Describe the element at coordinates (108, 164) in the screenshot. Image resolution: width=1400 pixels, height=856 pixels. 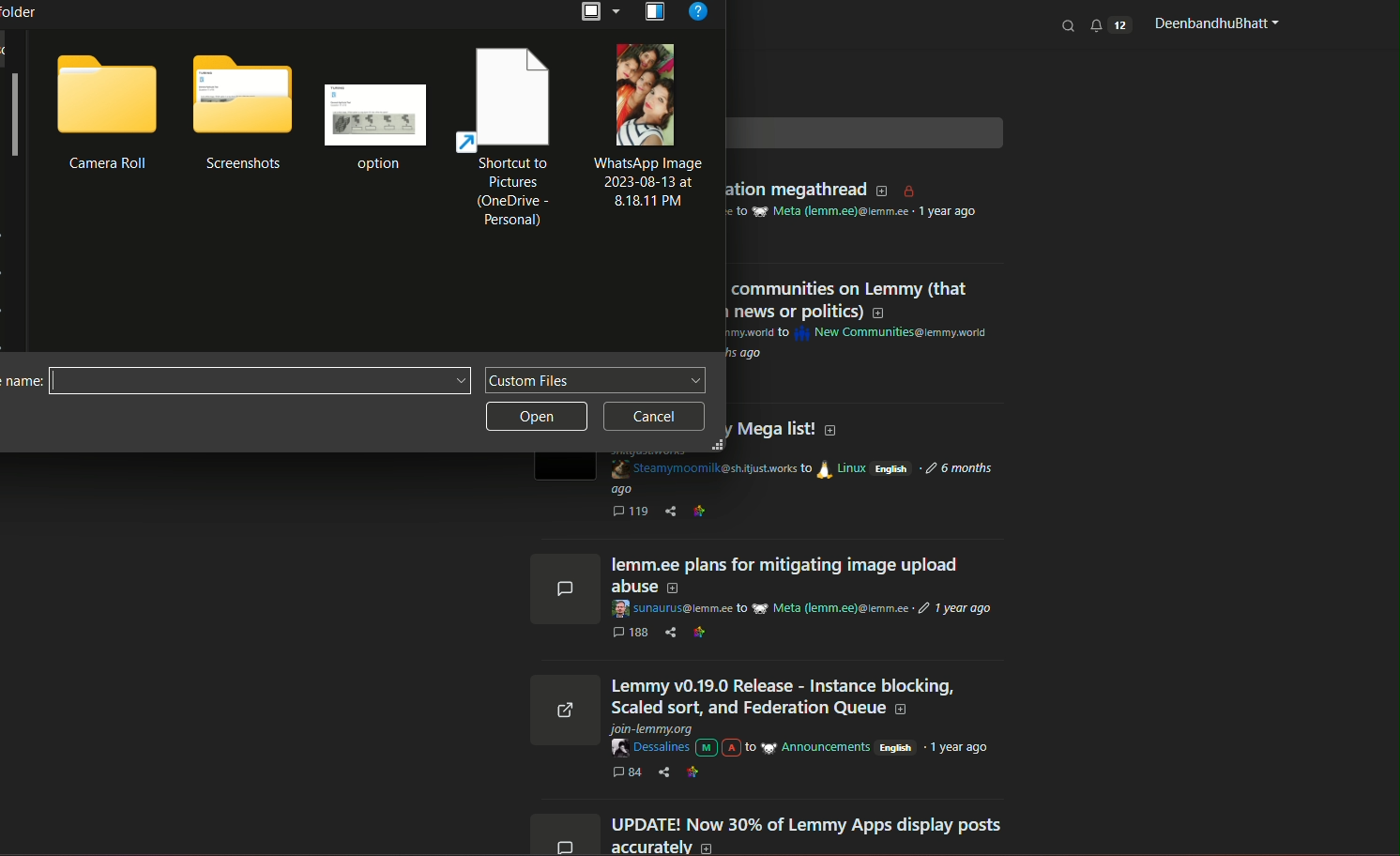
I see `Camera Roll` at that location.